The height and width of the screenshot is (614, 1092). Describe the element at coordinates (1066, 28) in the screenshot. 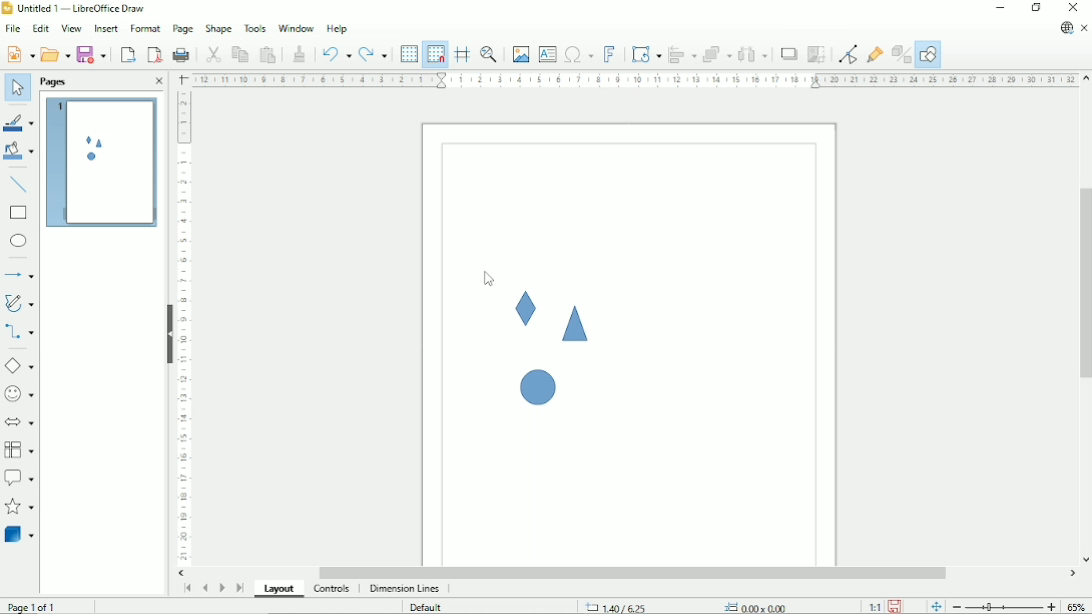

I see `Update available` at that location.